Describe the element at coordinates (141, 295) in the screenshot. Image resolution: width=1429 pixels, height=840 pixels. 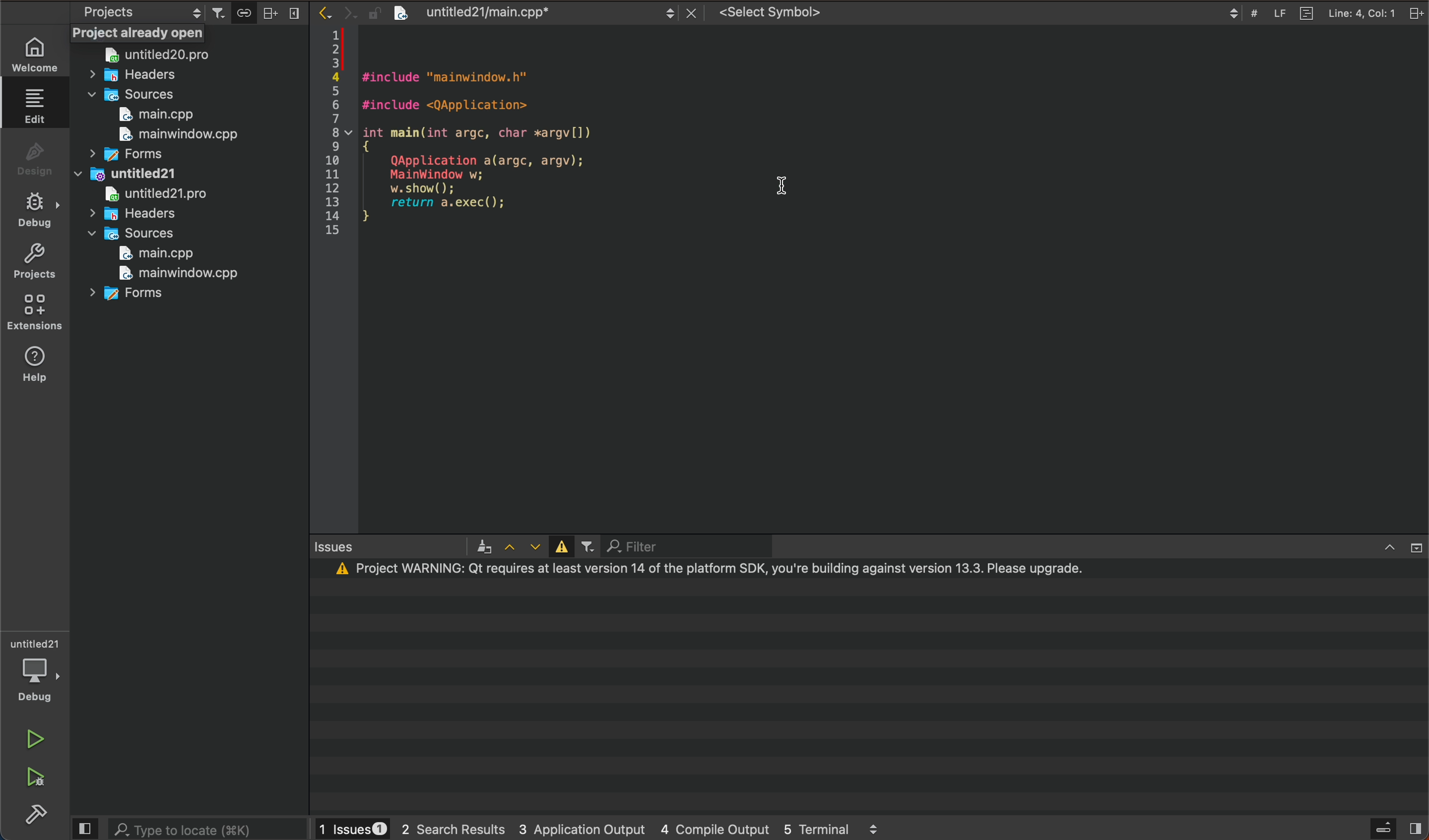
I see `forms` at that location.